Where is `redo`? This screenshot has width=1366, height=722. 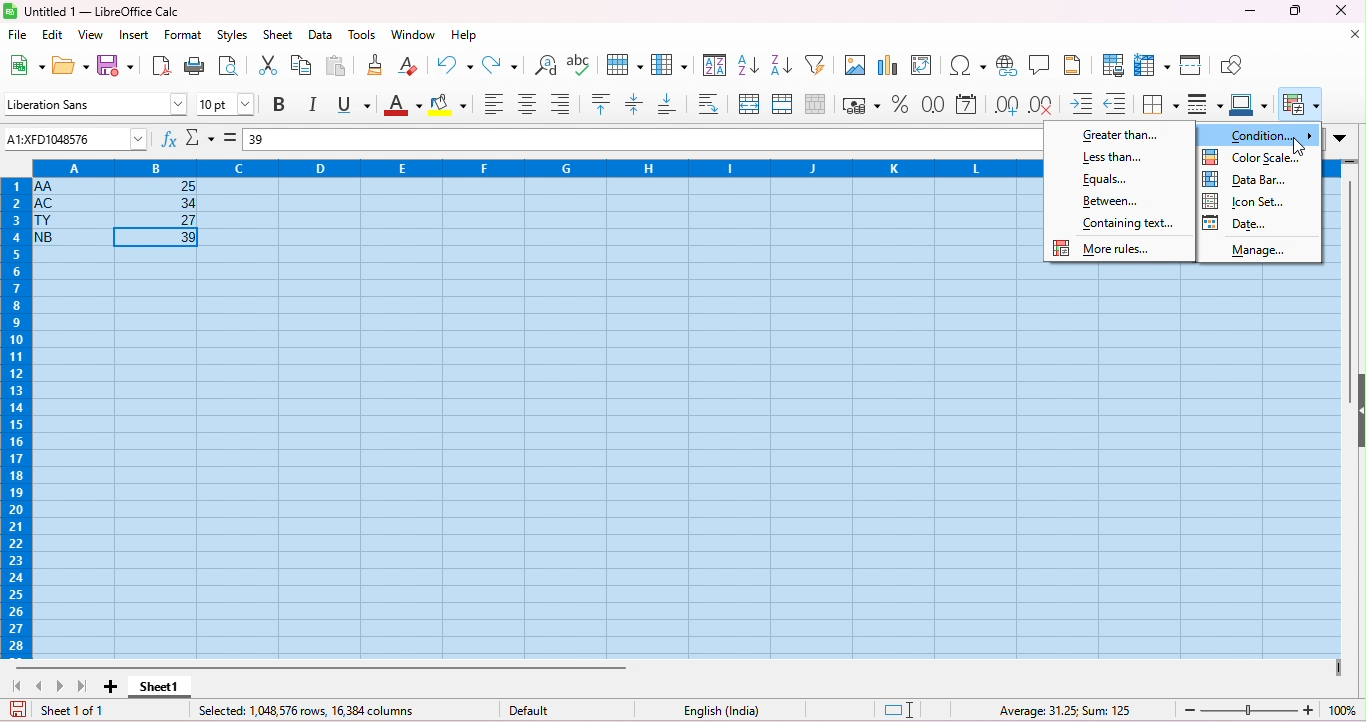
redo is located at coordinates (503, 64).